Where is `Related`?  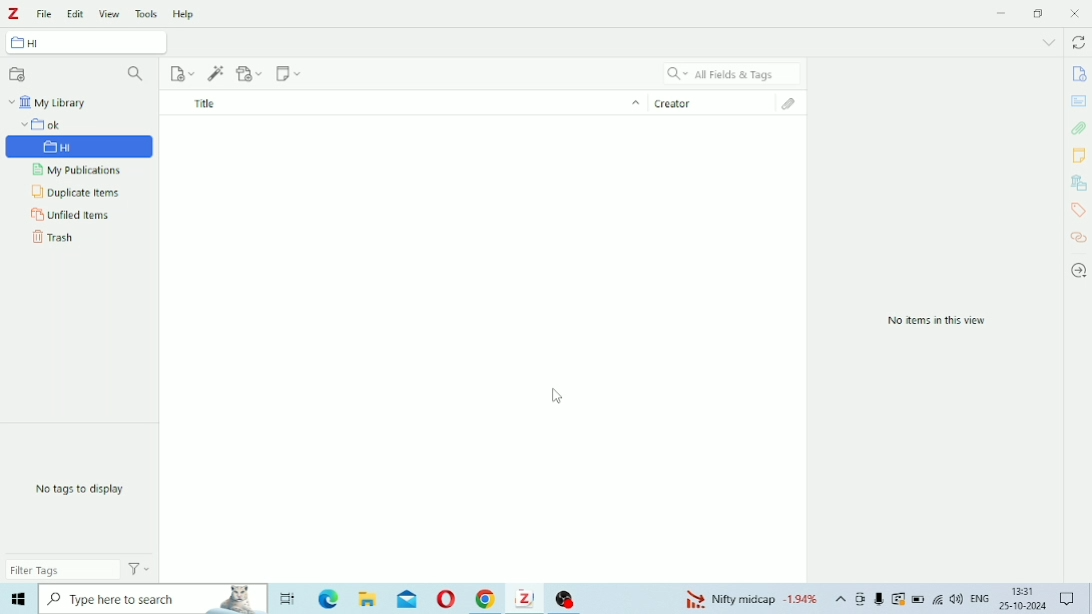
Related is located at coordinates (1080, 237).